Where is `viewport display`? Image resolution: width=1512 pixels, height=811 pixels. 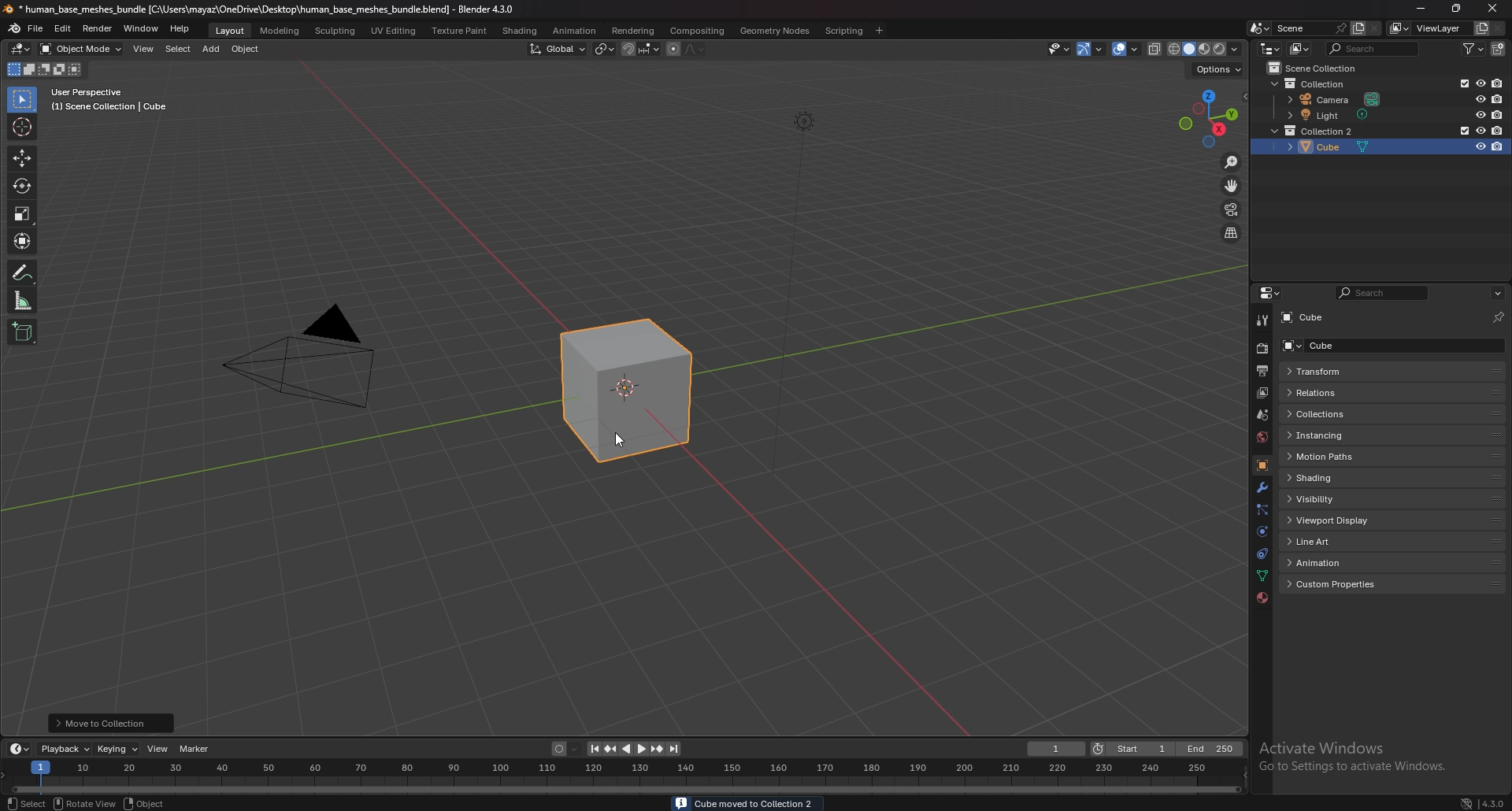
viewport display is located at coordinates (1343, 520).